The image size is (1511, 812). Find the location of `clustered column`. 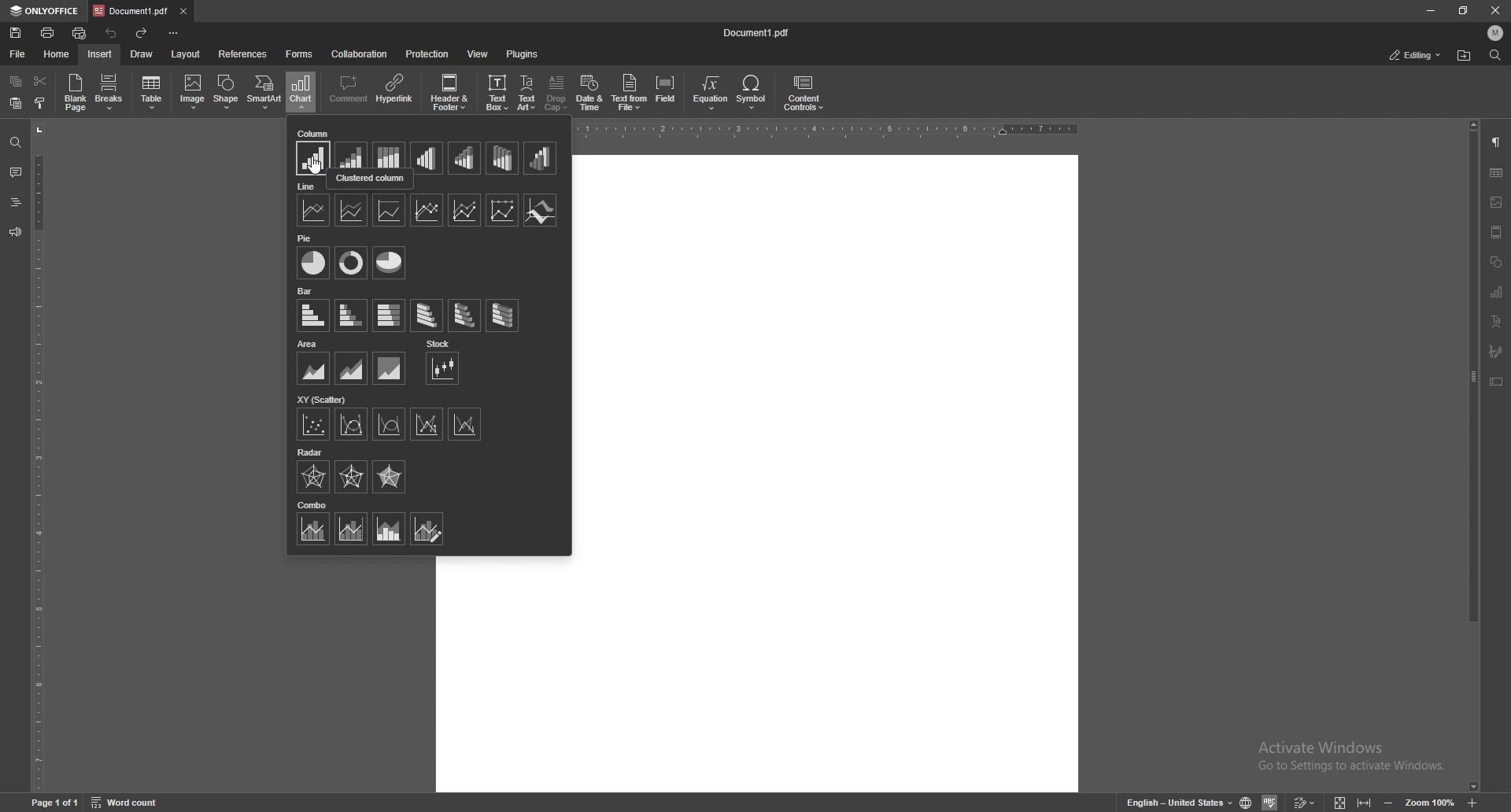

clustered column is located at coordinates (314, 160).